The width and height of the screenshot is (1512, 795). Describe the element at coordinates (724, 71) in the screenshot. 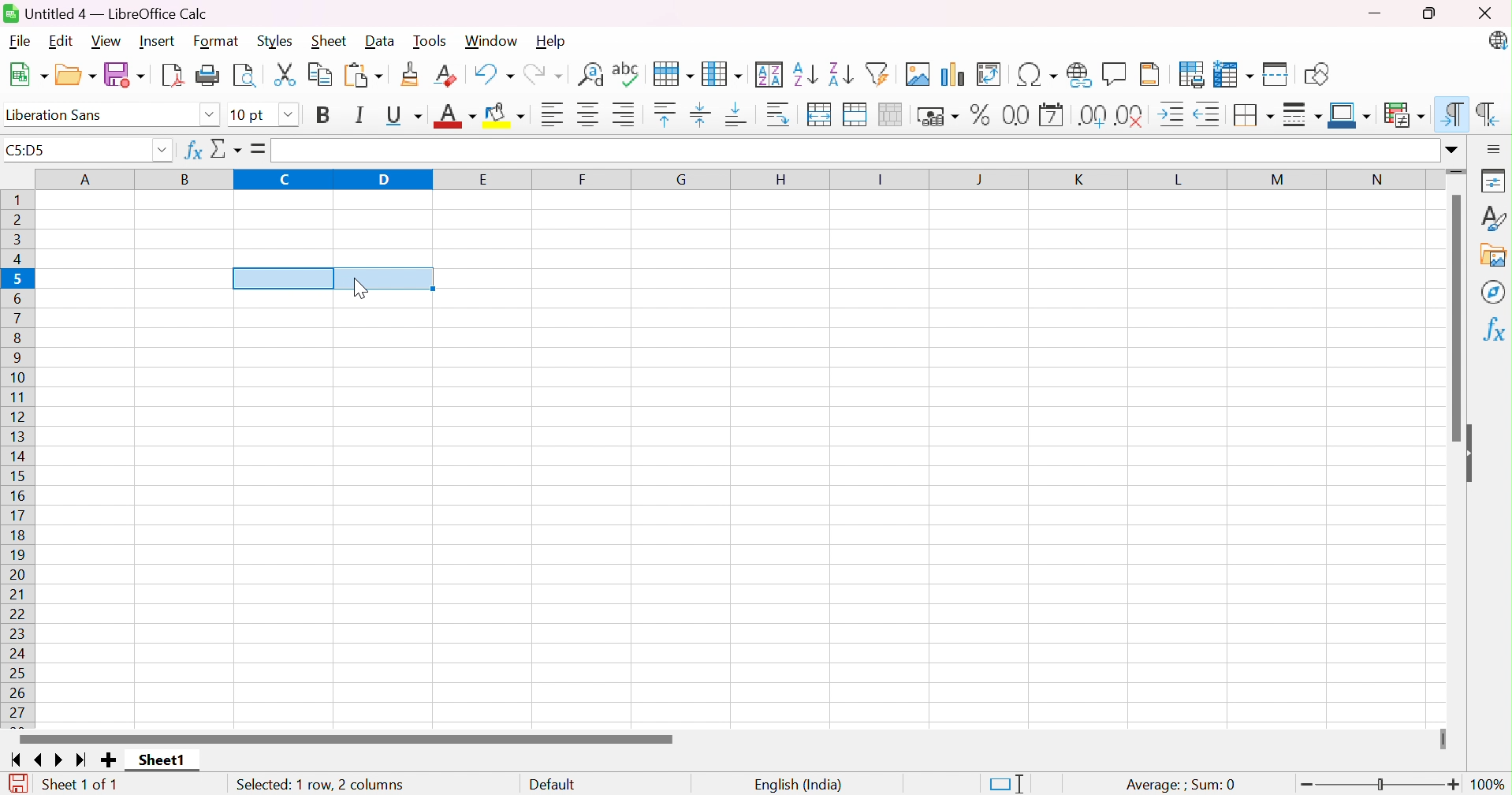

I see `Column` at that location.